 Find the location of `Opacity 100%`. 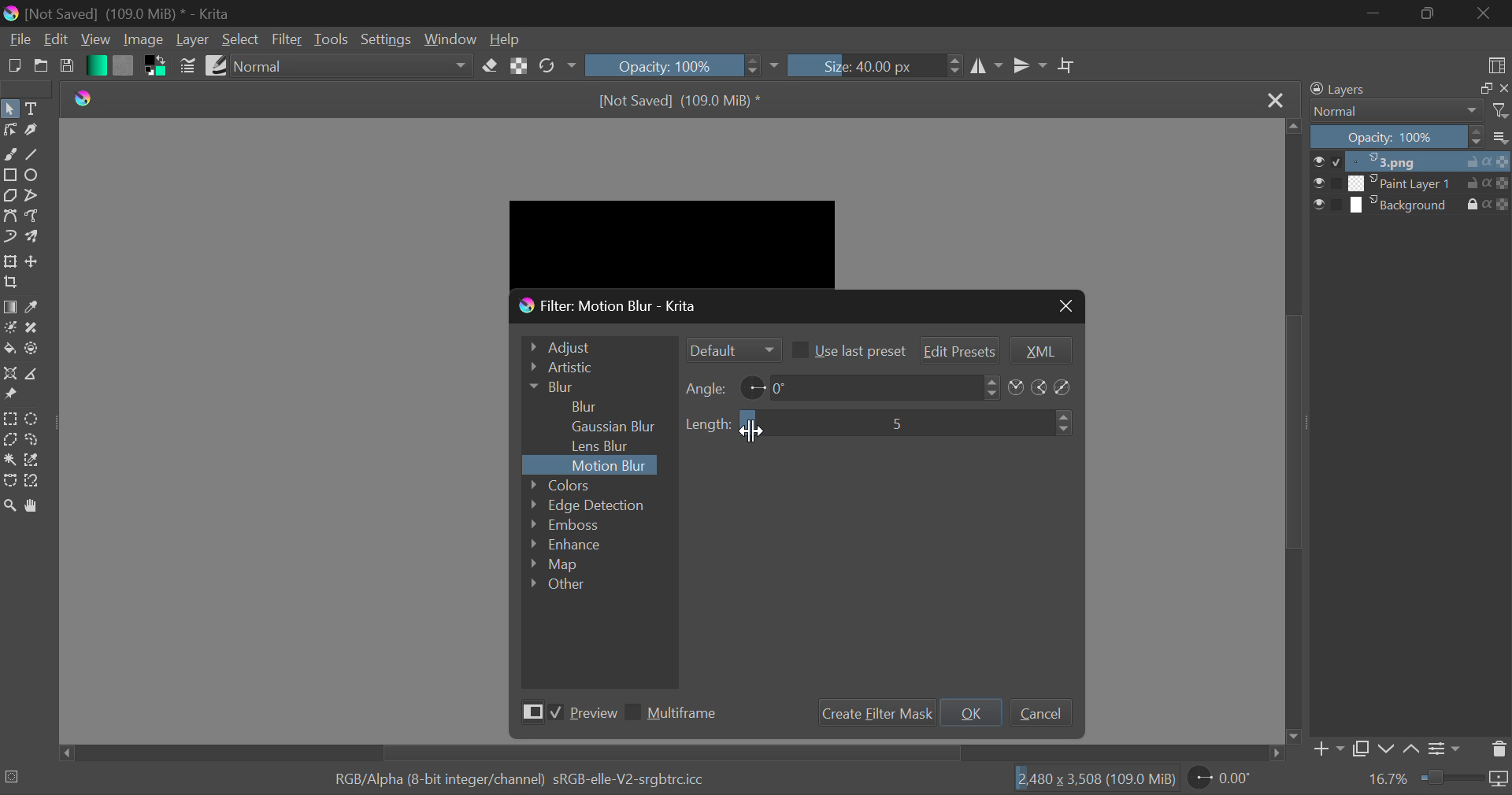

Opacity 100% is located at coordinates (1412, 138).